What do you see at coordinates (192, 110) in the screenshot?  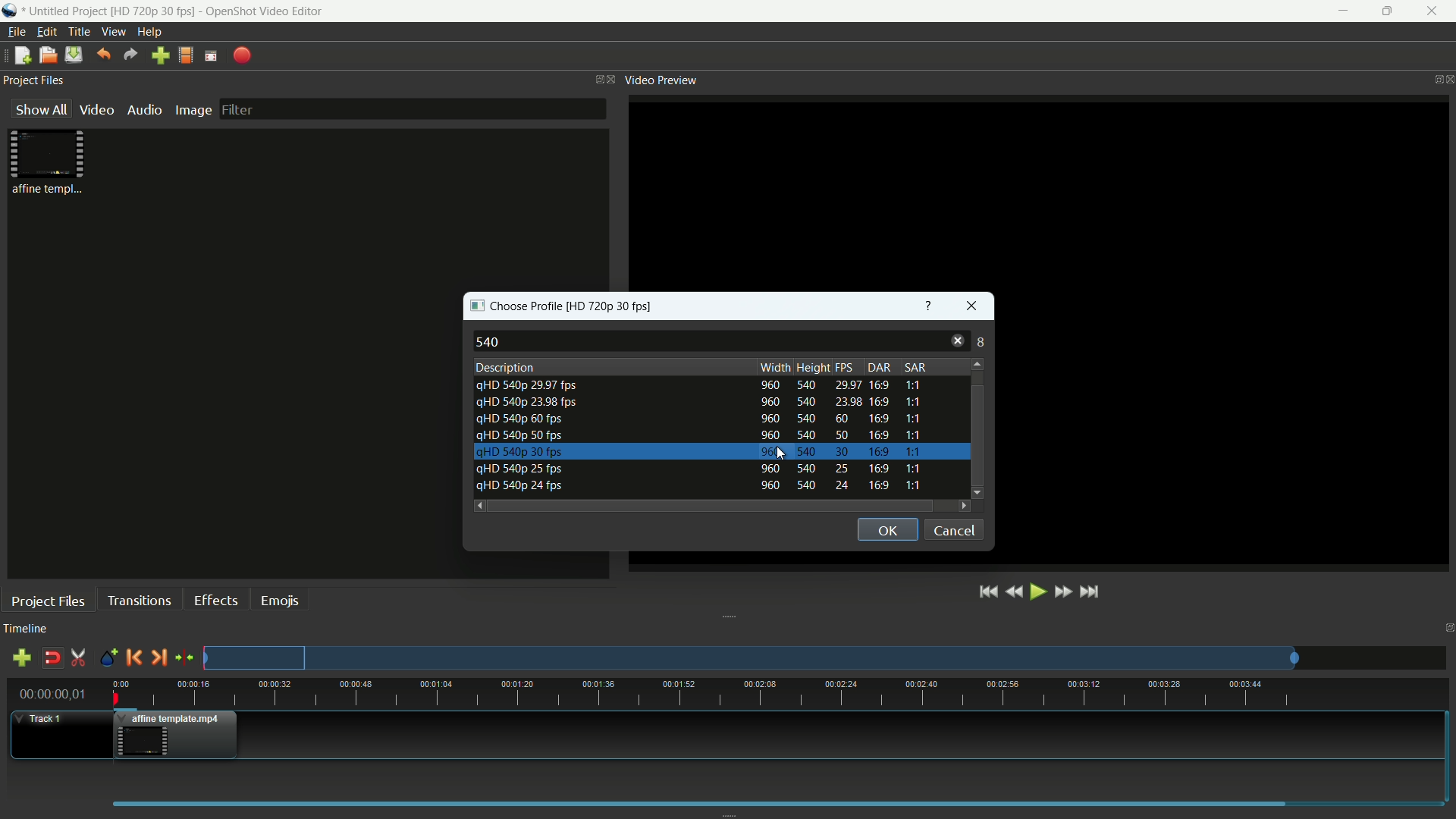 I see `image` at bounding box center [192, 110].